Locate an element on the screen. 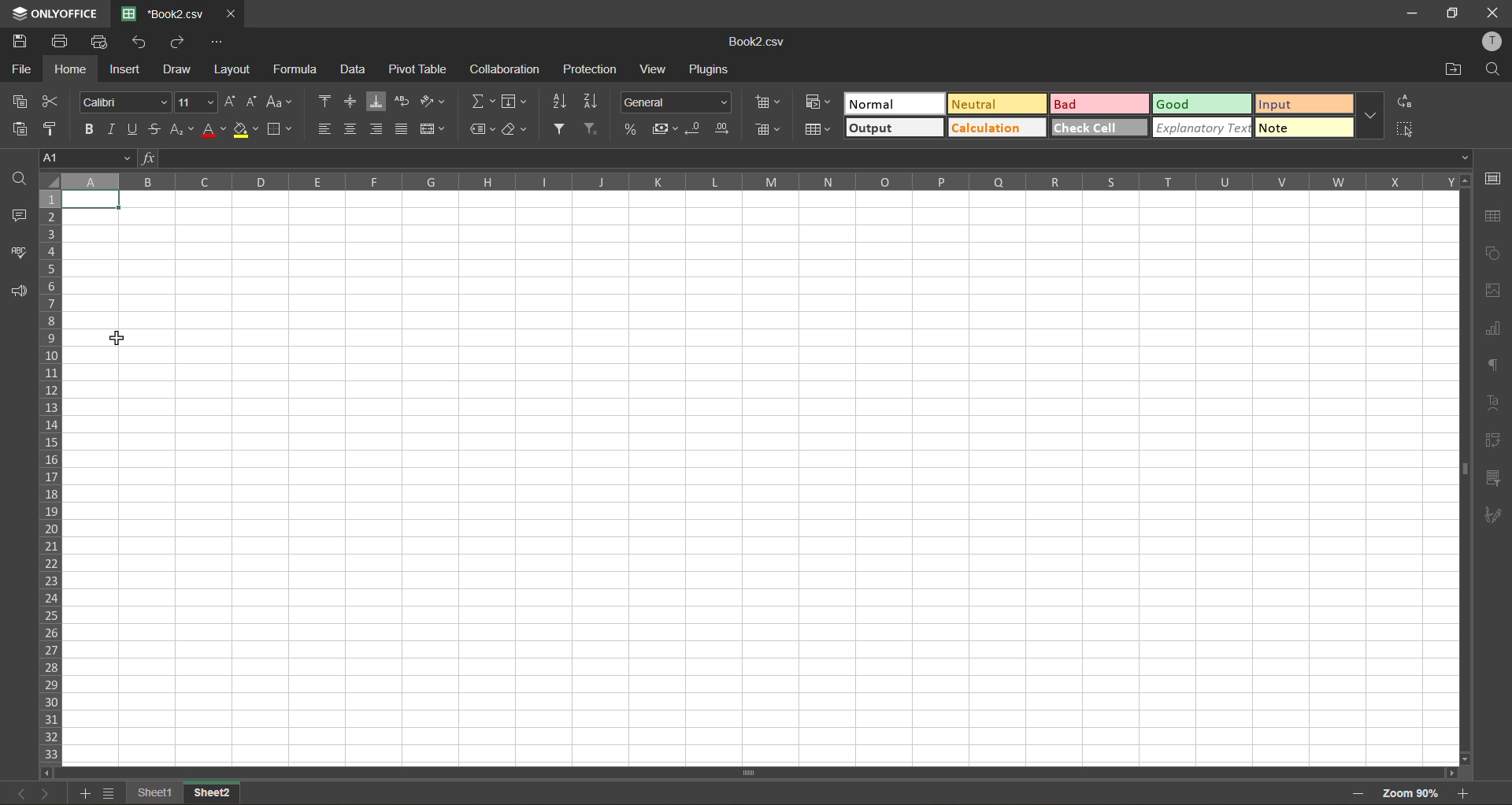  vertical scrollbar is located at coordinates (1461, 466).